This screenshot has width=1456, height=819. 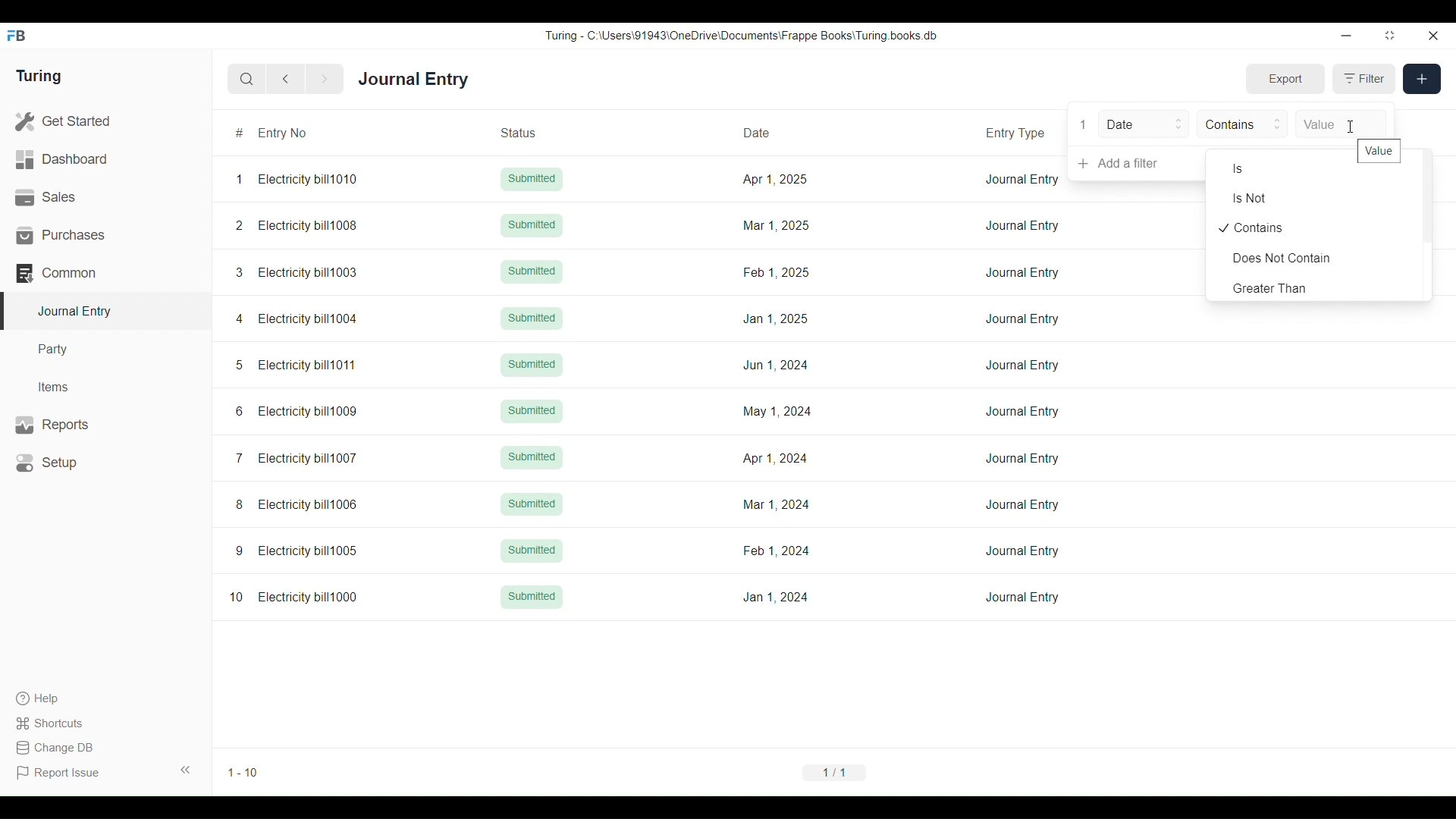 What do you see at coordinates (105, 197) in the screenshot?
I see `Sales` at bounding box center [105, 197].